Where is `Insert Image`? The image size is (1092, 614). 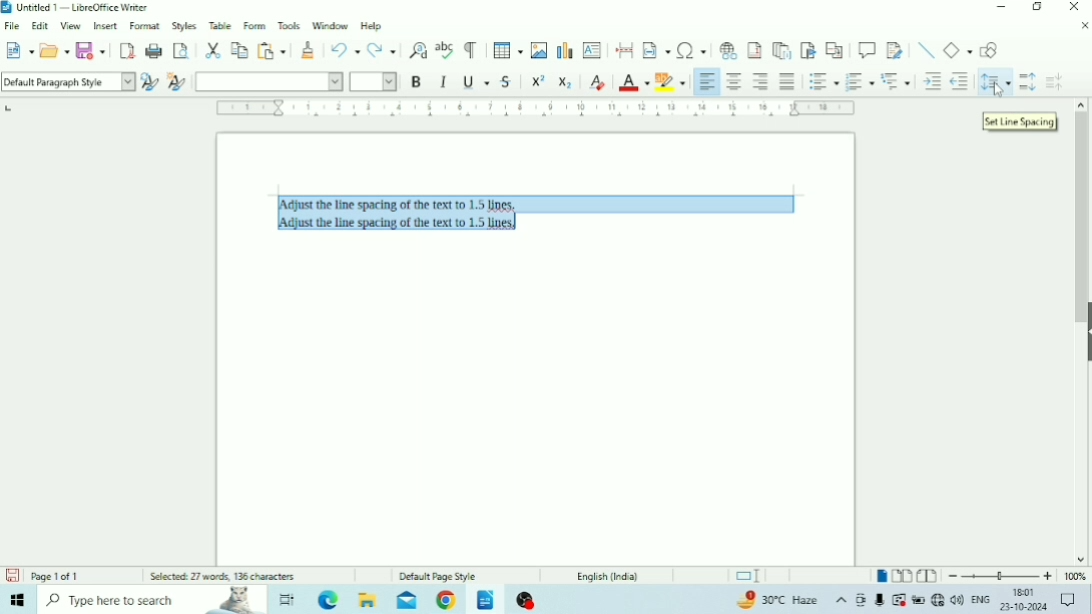
Insert Image is located at coordinates (539, 48).